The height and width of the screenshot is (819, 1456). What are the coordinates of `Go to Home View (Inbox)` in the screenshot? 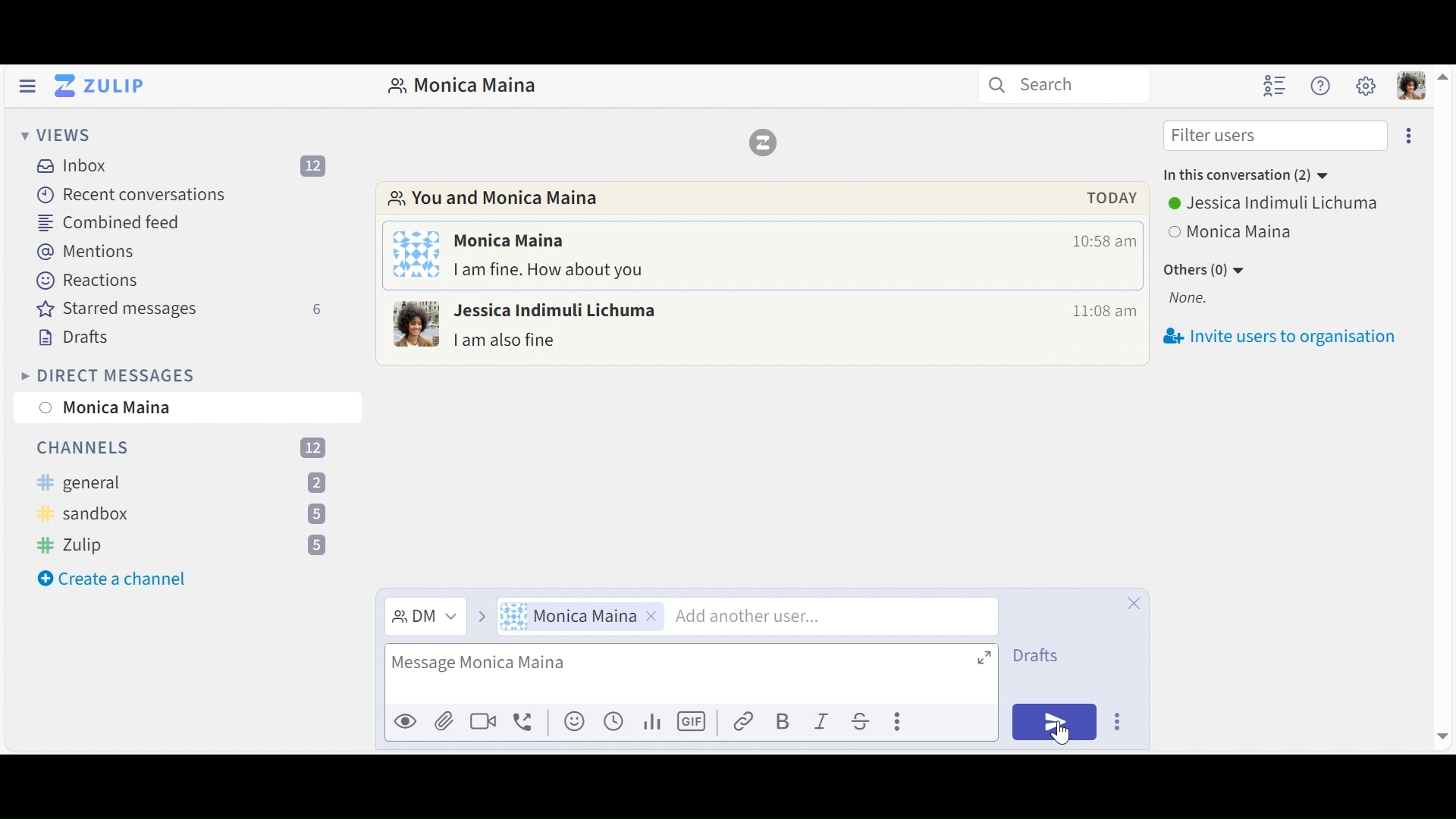 It's located at (99, 86).